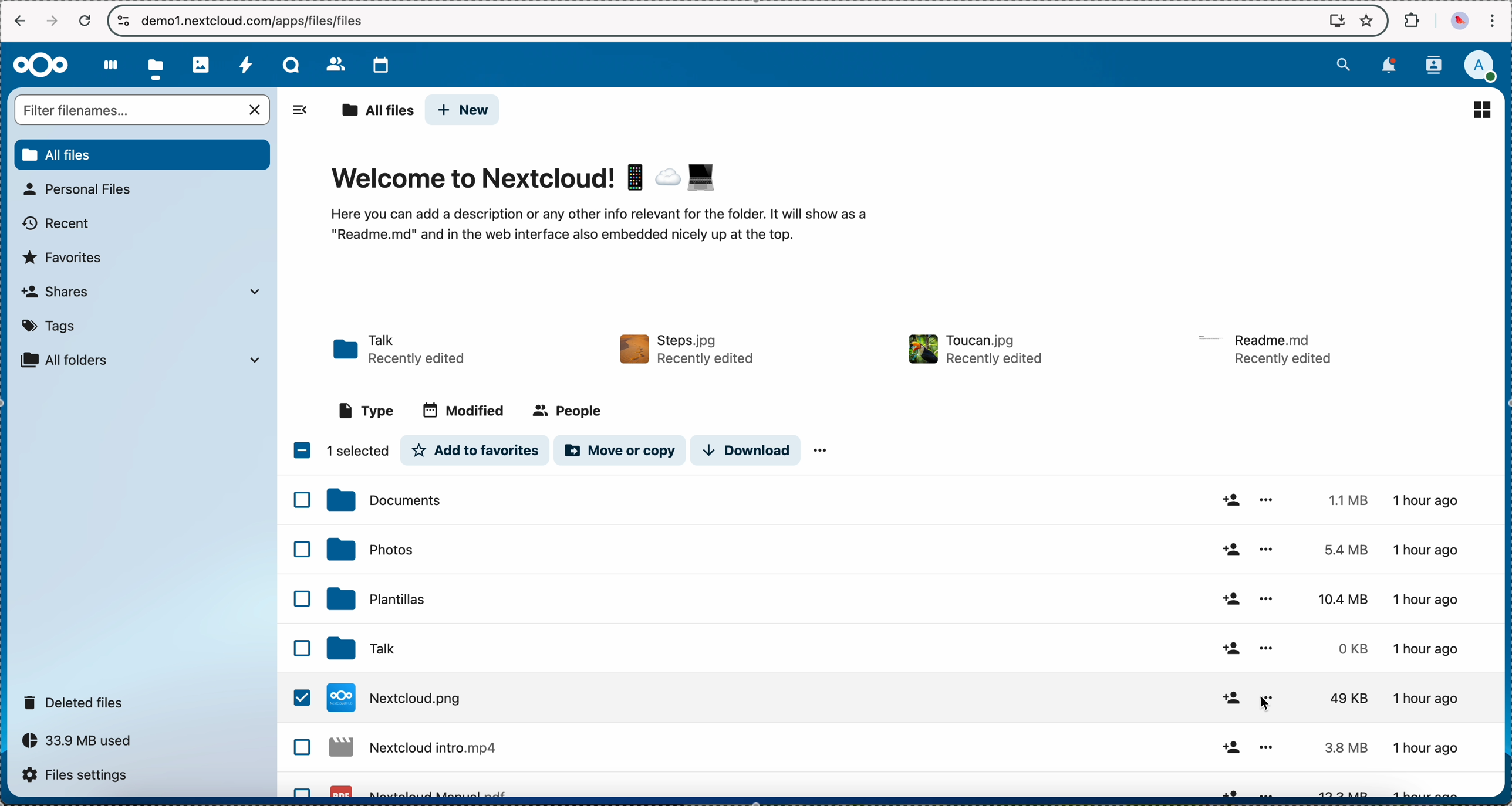  I want to click on favorites, so click(1365, 20).